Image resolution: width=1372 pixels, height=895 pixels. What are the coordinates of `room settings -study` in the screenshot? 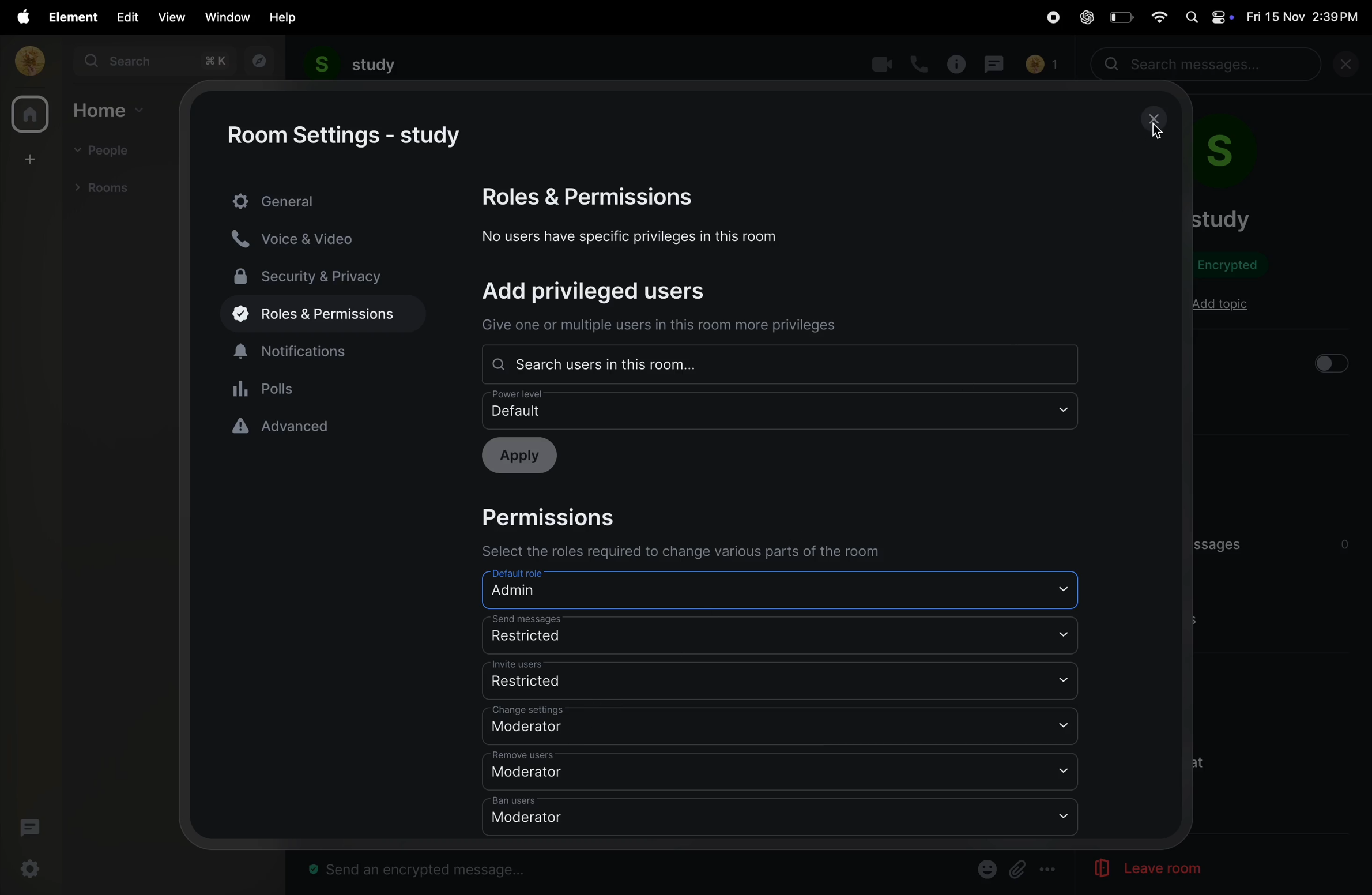 It's located at (348, 136).